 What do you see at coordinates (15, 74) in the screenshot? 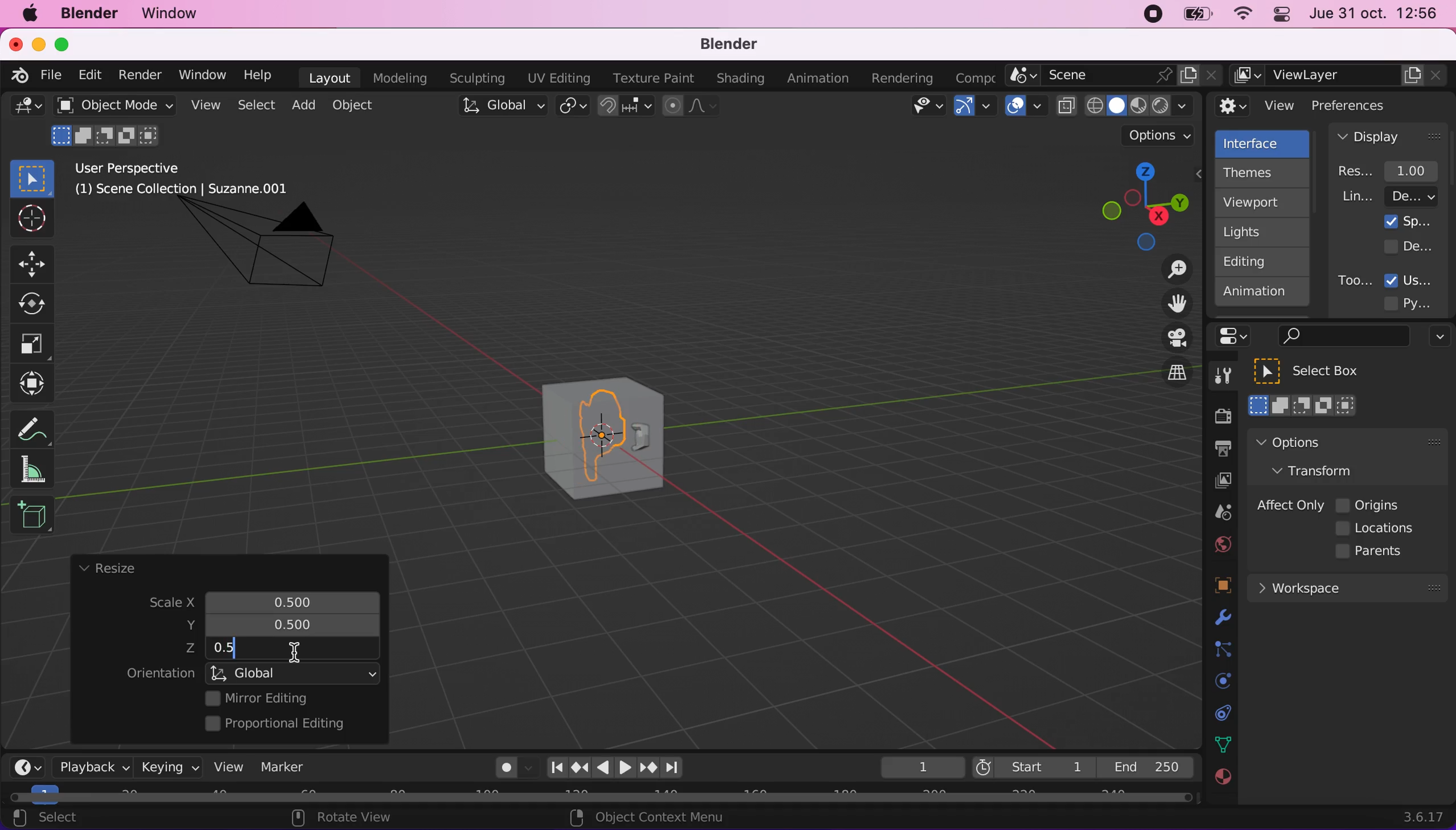
I see `blender` at bounding box center [15, 74].